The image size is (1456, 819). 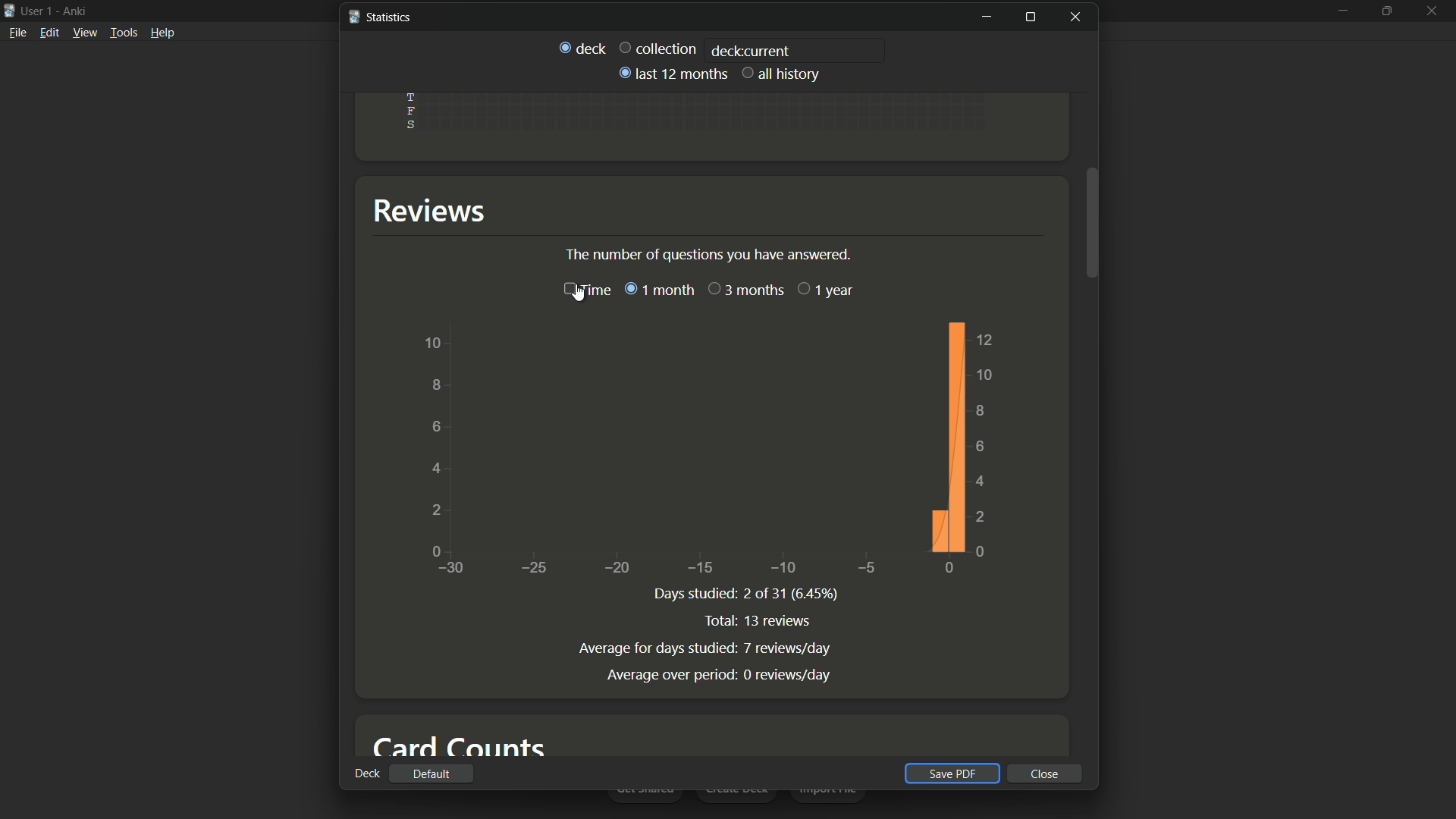 What do you see at coordinates (1029, 17) in the screenshot?
I see `maximize` at bounding box center [1029, 17].